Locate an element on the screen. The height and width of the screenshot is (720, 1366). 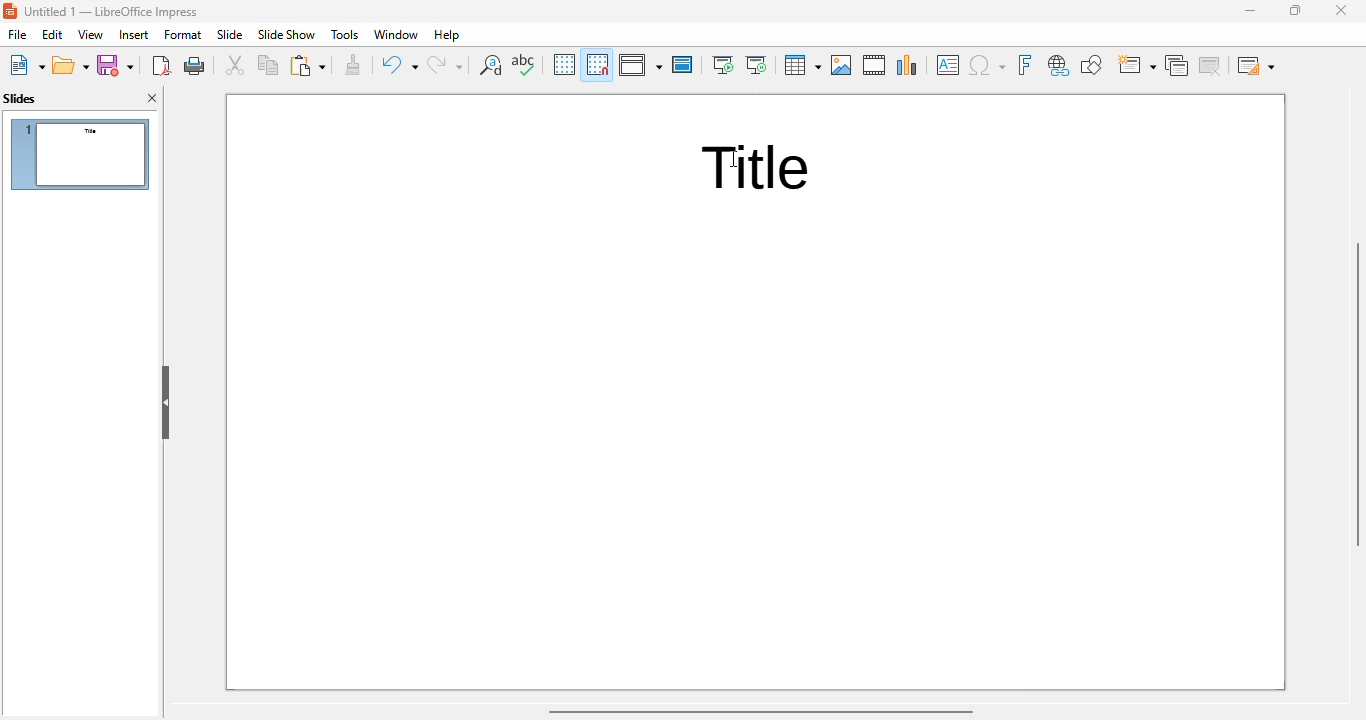
start from current slide is located at coordinates (756, 65).